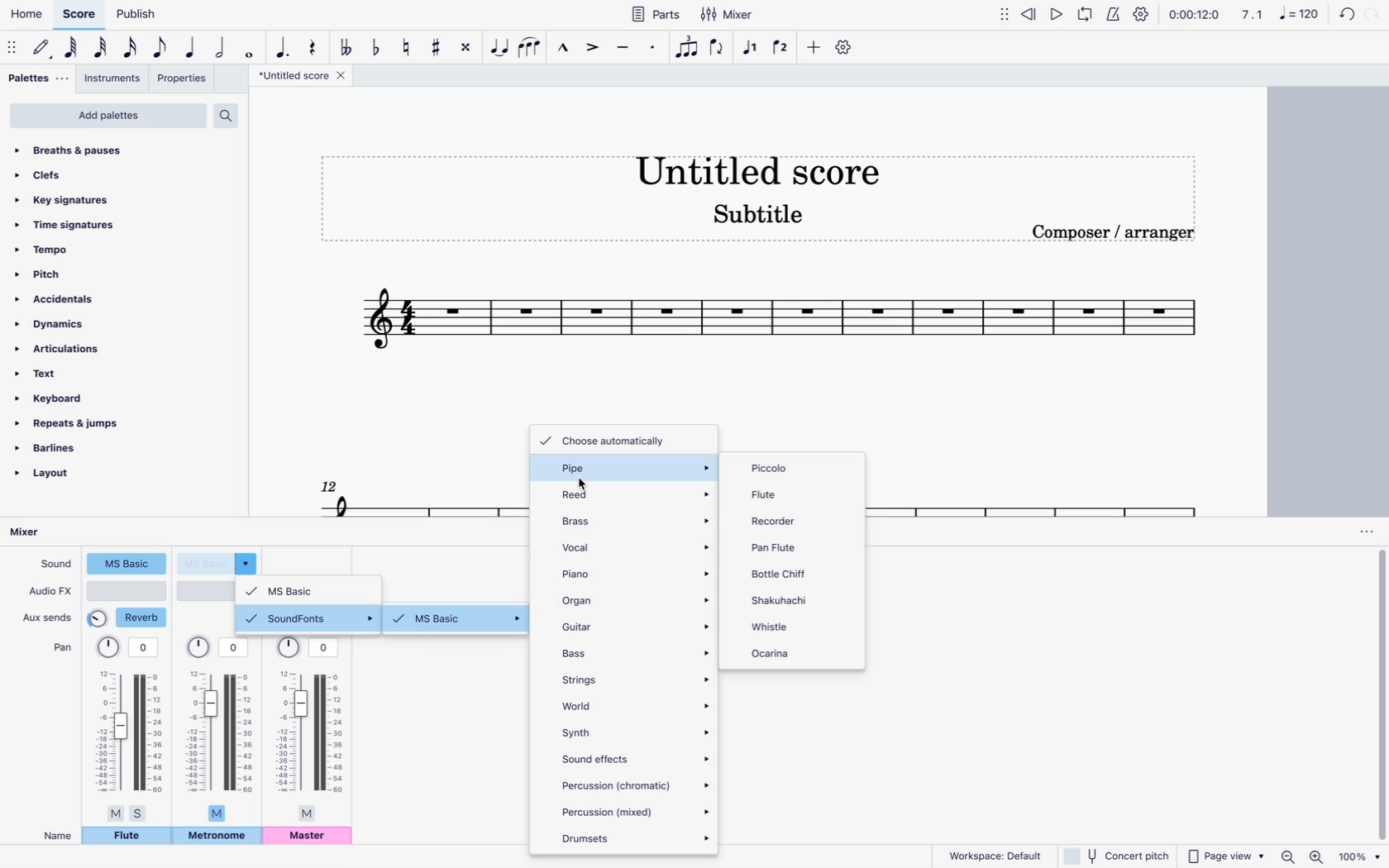 Image resolution: width=1389 pixels, height=868 pixels. Describe the element at coordinates (500, 49) in the screenshot. I see `tie` at that location.